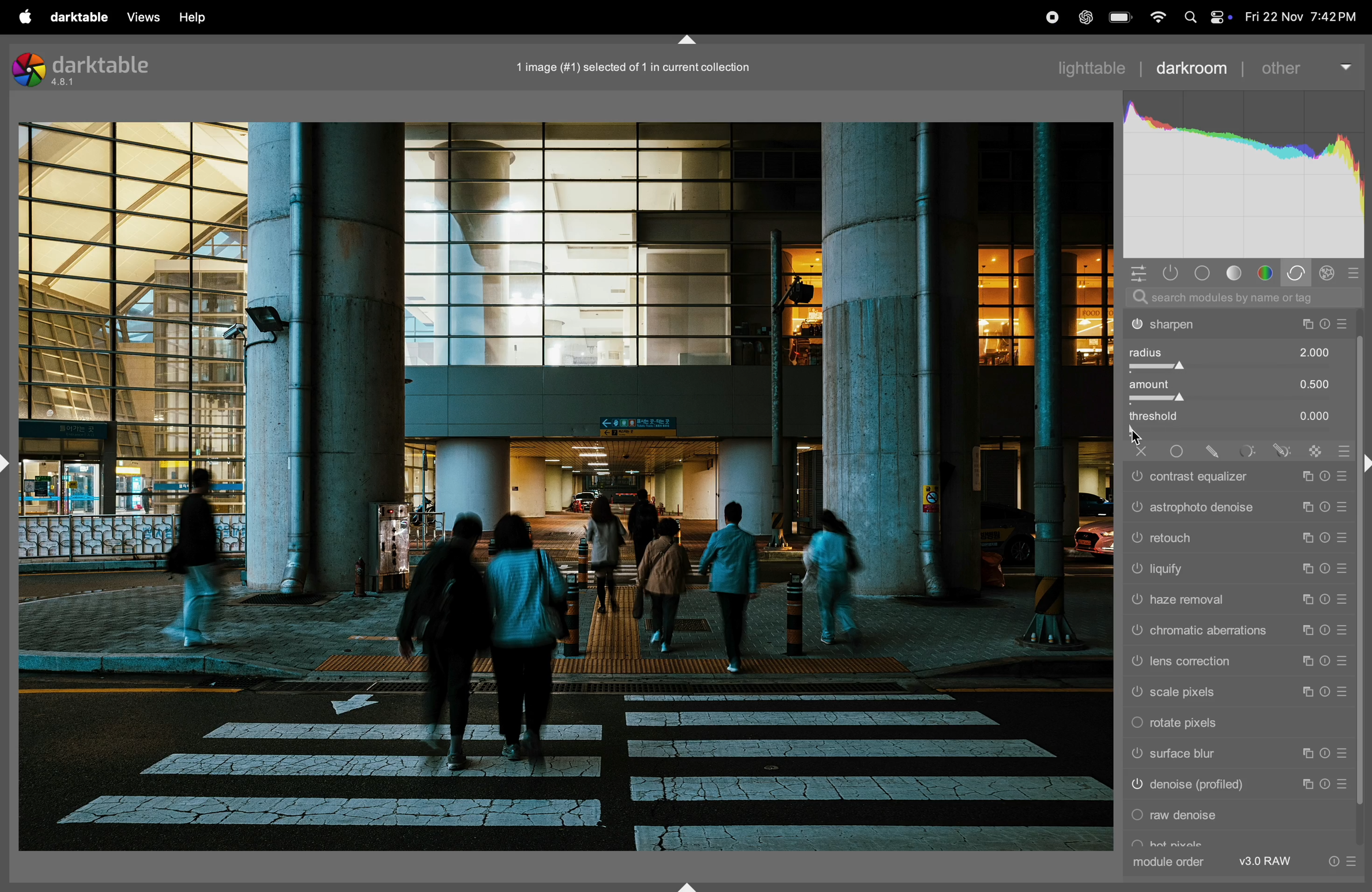  I want to click on light table, so click(1099, 66).